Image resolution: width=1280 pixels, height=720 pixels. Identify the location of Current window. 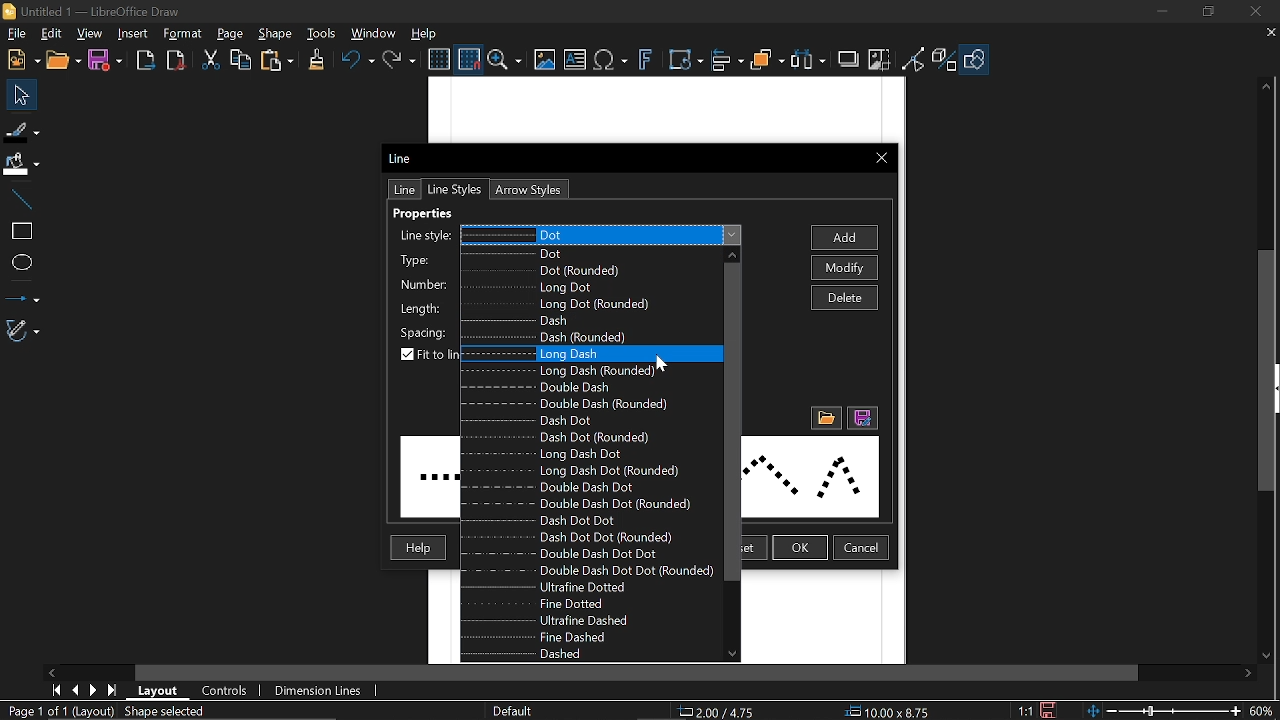
(95, 12).